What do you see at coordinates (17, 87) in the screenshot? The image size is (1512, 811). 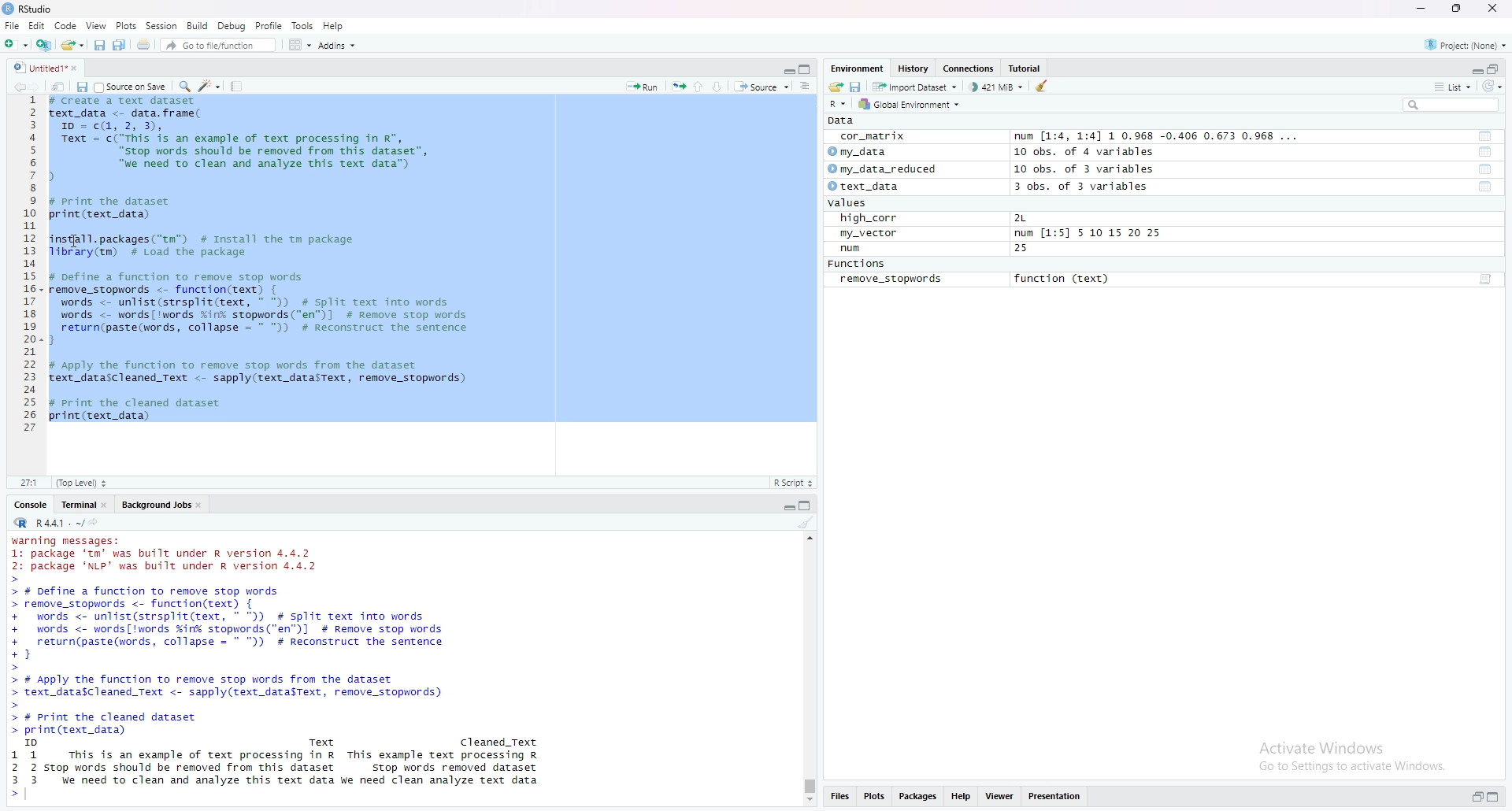 I see `go backward` at bounding box center [17, 87].